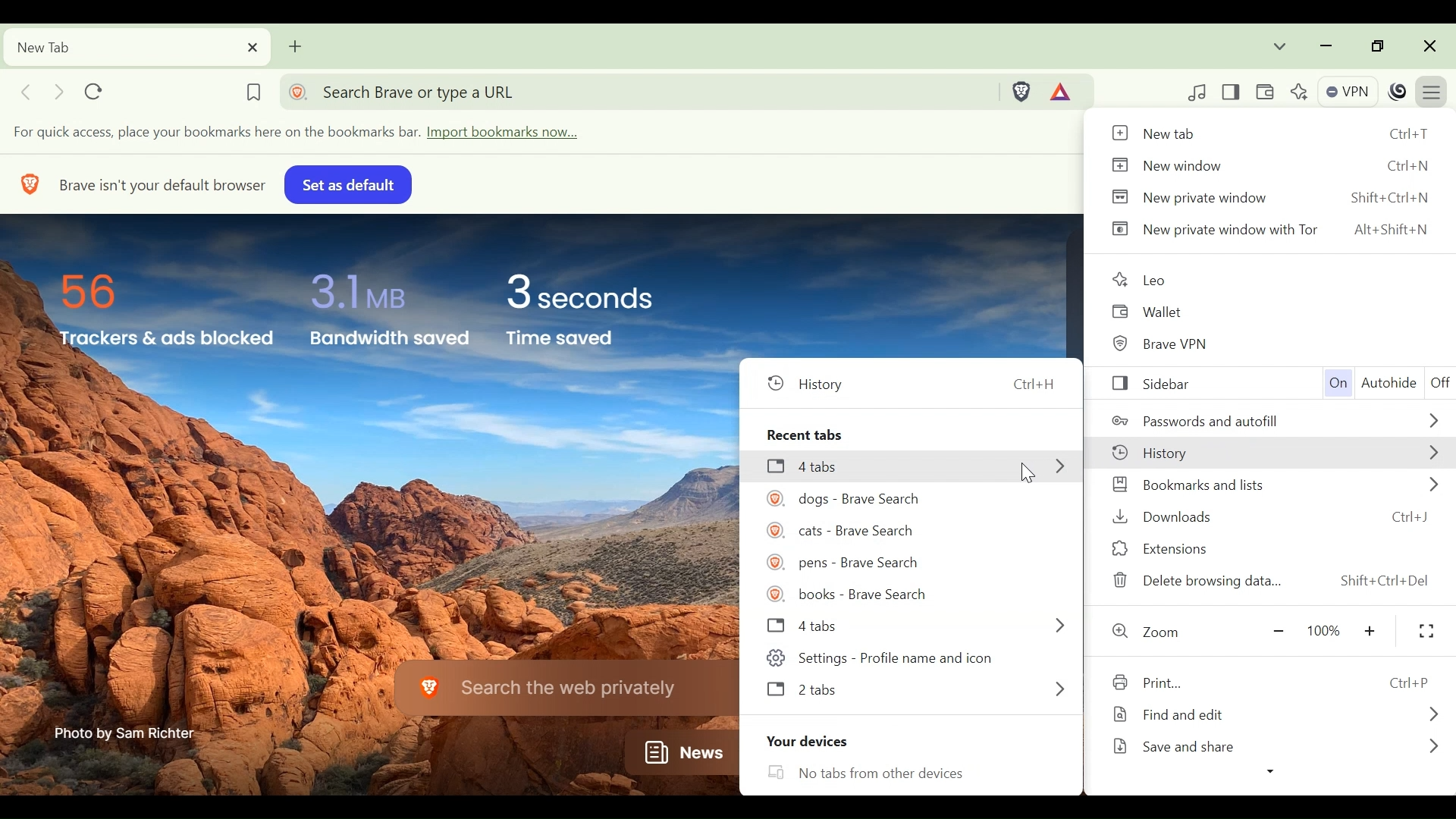 The height and width of the screenshot is (819, 1456). I want to click on Current tab, so click(135, 47).